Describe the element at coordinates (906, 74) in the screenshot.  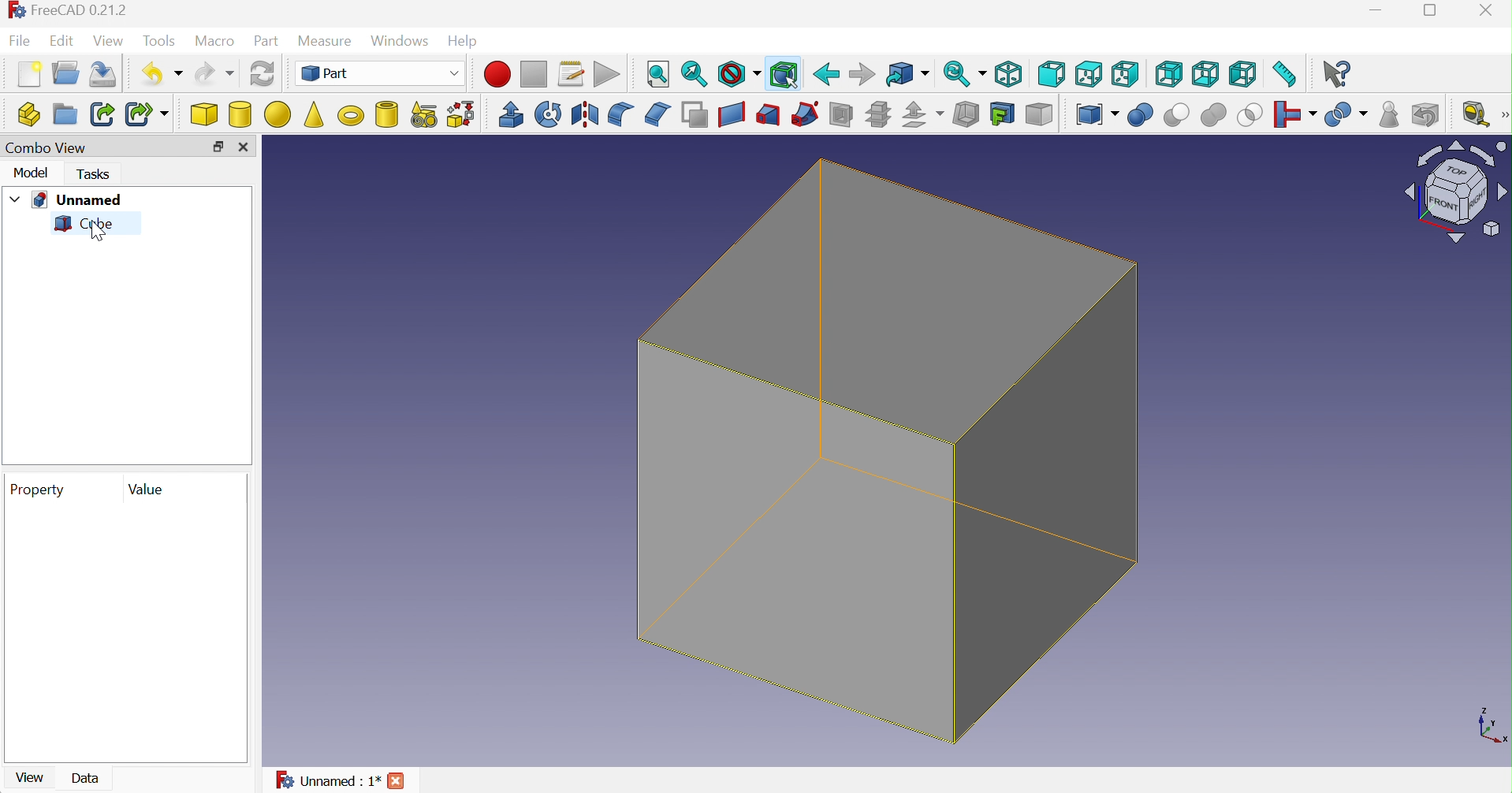
I see `Go to linked object` at that location.